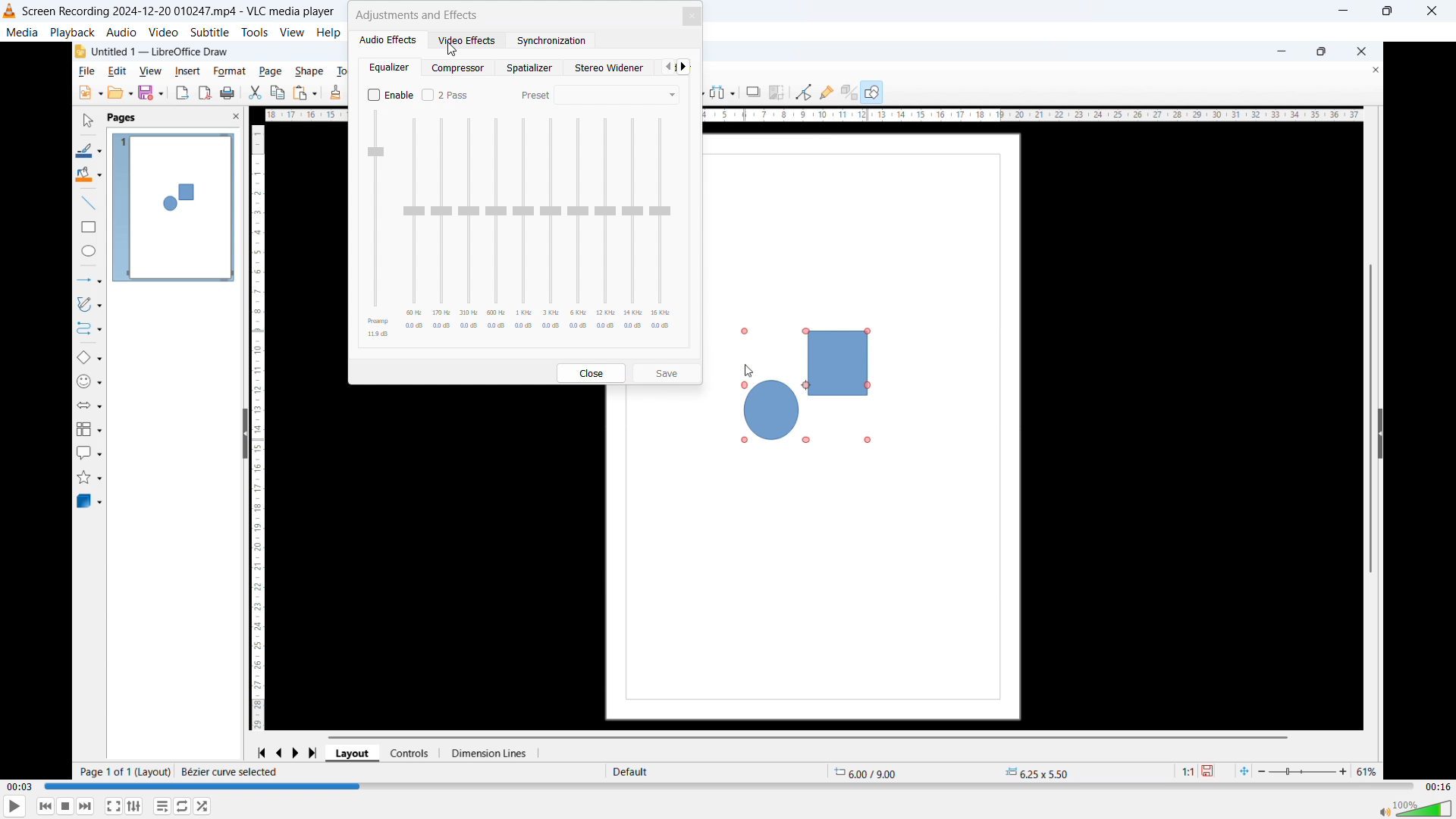 This screenshot has width=1456, height=819. I want to click on Click to toggle between loop all, loop one, no loop, so click(182, 807).